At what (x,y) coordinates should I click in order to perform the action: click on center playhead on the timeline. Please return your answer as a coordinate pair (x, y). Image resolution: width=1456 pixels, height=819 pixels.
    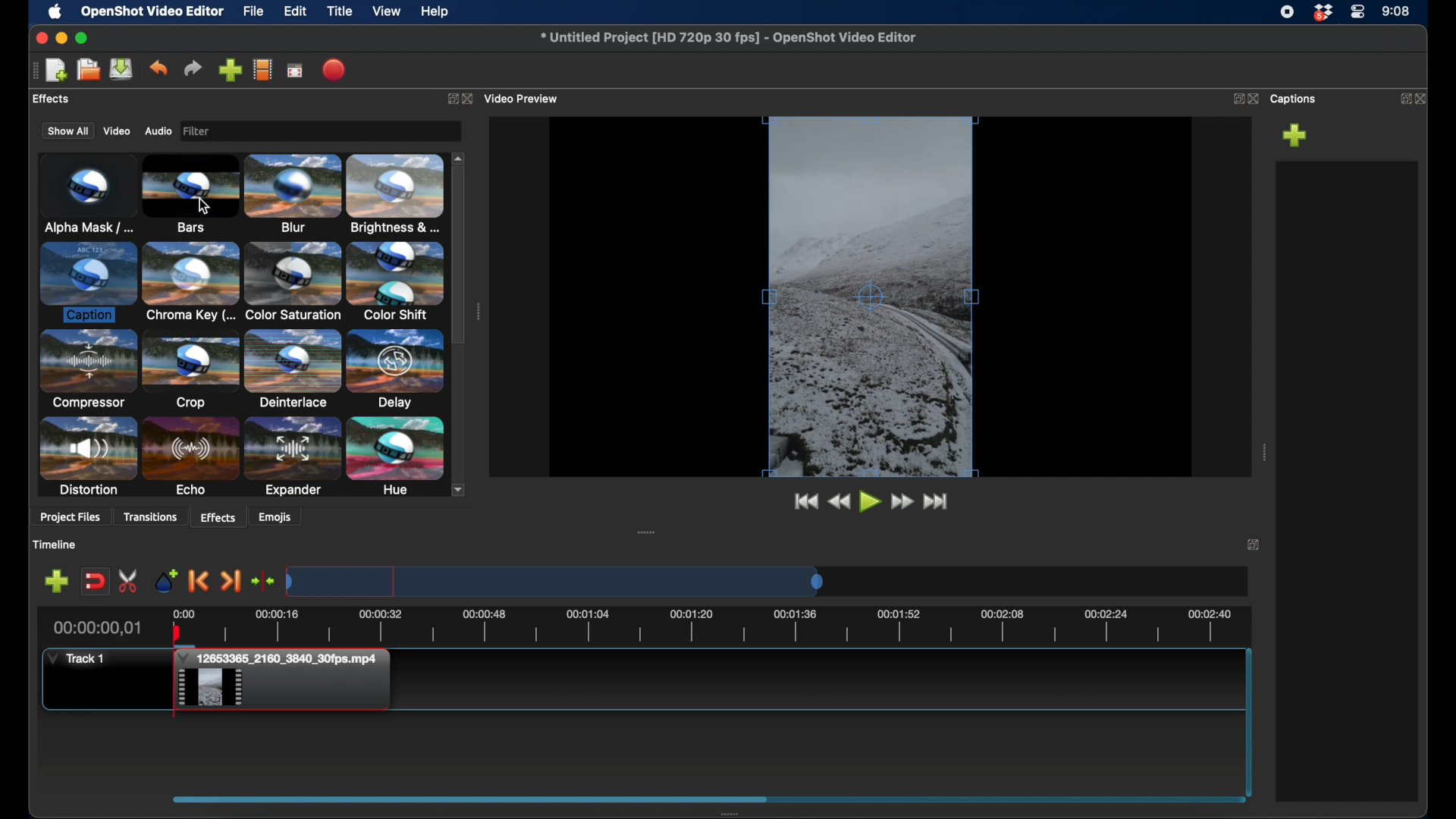
    Looking at the image, I should click on (262, 581).